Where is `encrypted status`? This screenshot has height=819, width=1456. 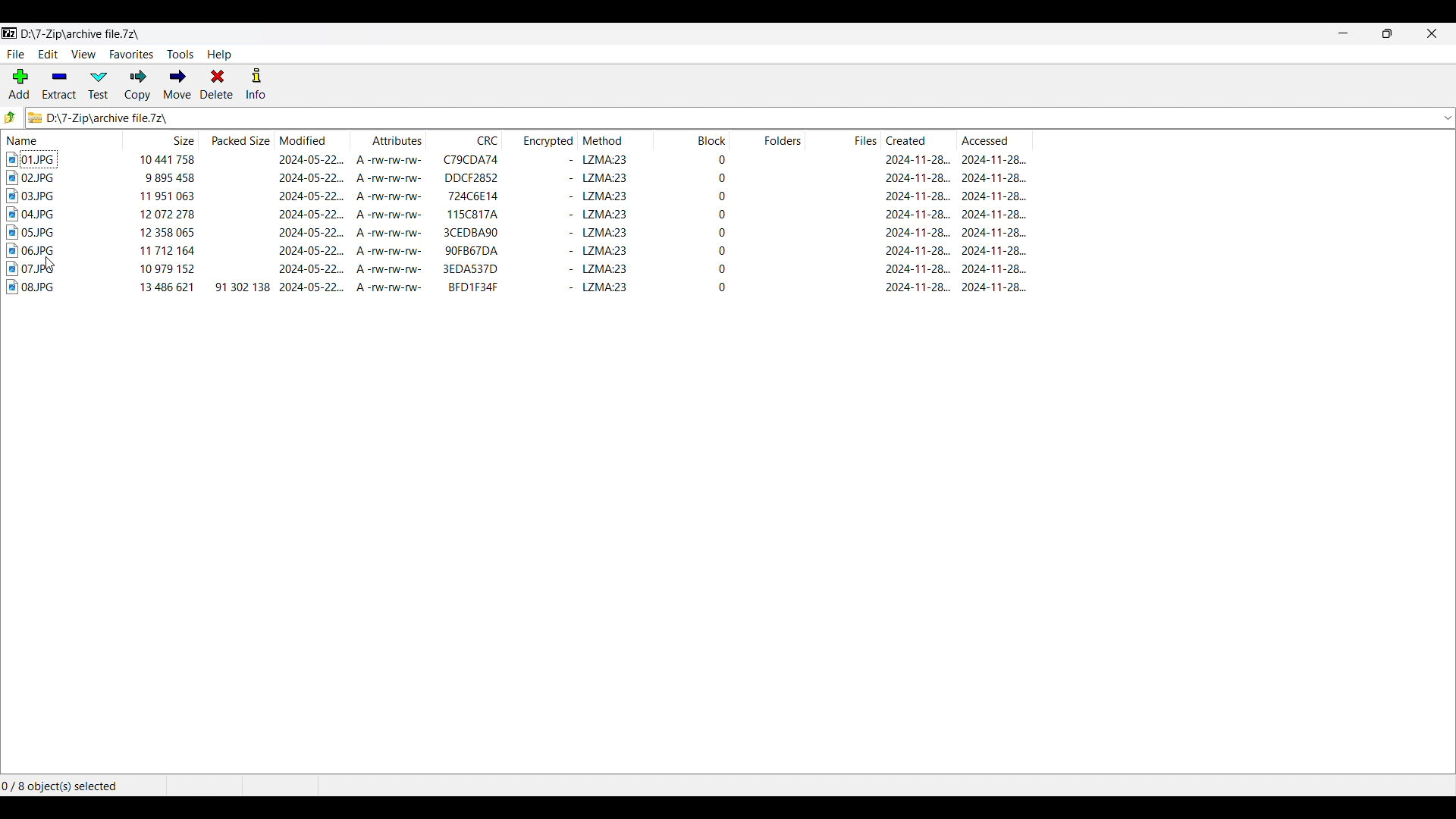 encrypted status is located at coordinates (568, 251).